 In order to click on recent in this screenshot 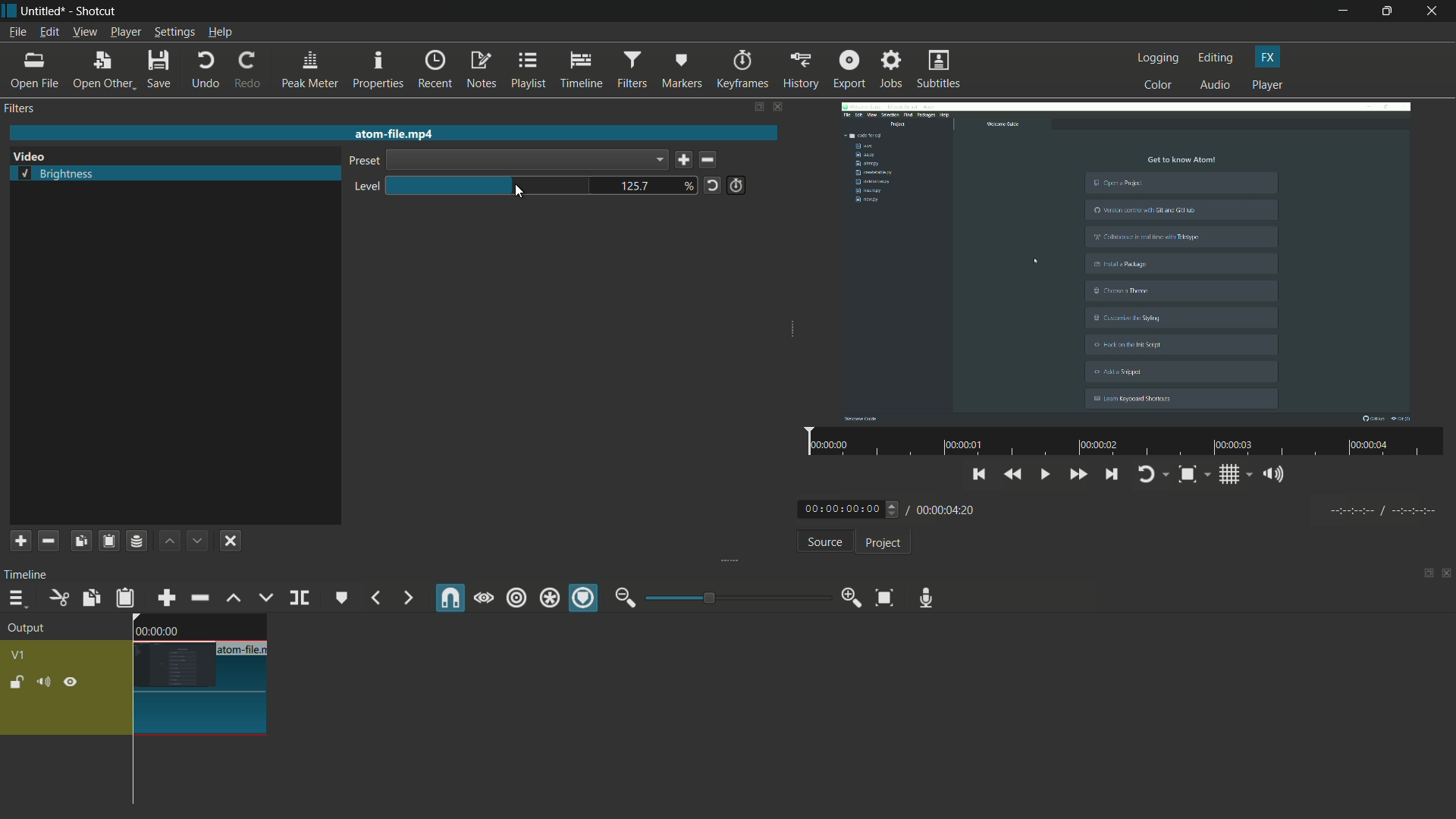, I will do `click(437, 69)`.